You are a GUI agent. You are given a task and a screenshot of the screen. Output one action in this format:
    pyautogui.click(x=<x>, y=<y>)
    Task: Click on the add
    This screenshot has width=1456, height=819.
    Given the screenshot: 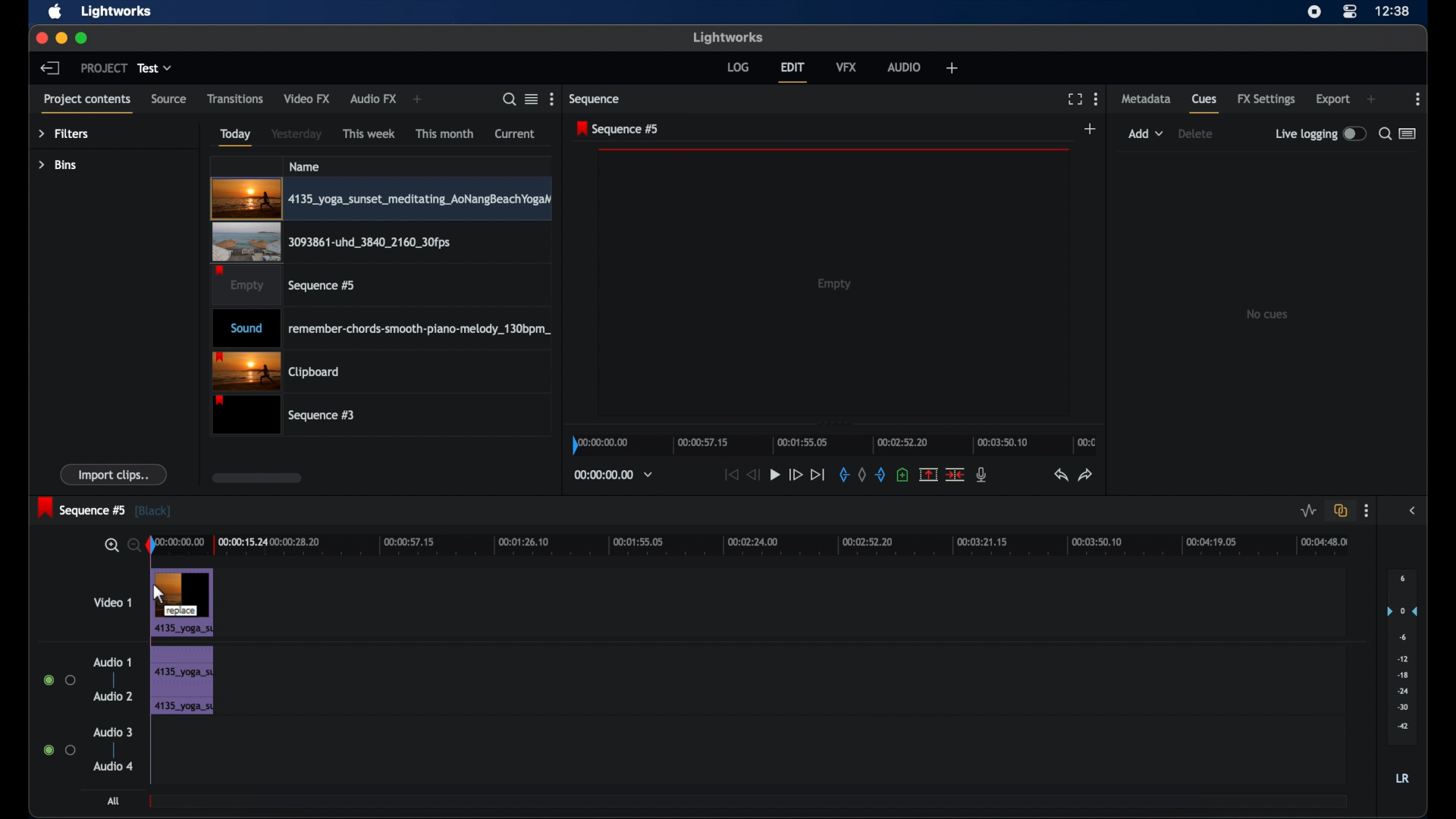 What is the action you would take?
    pyautogui.click(x=418, y=99)
    